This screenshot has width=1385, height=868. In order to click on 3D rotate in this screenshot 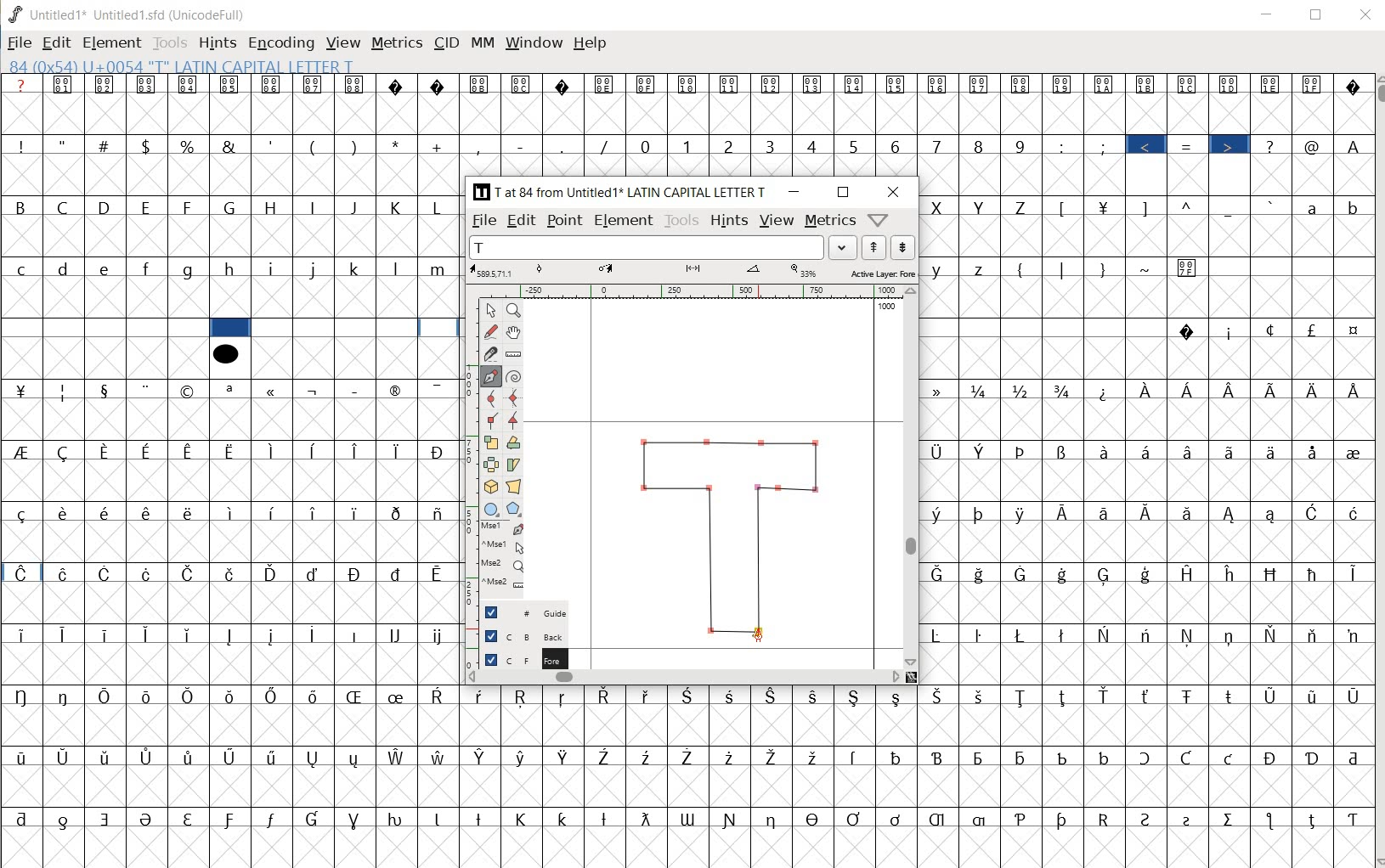, I will do `click(490, 488)`.